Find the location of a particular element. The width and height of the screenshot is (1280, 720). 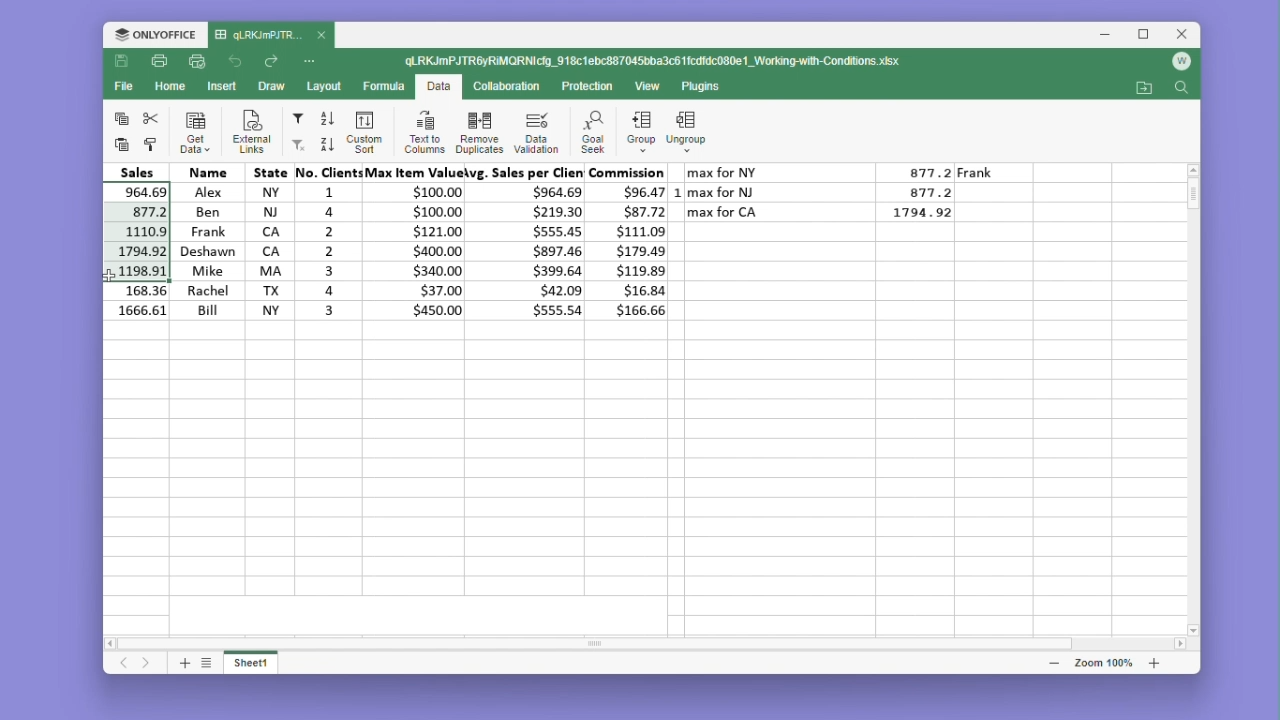

Draw is located at coordinates (270, 87).